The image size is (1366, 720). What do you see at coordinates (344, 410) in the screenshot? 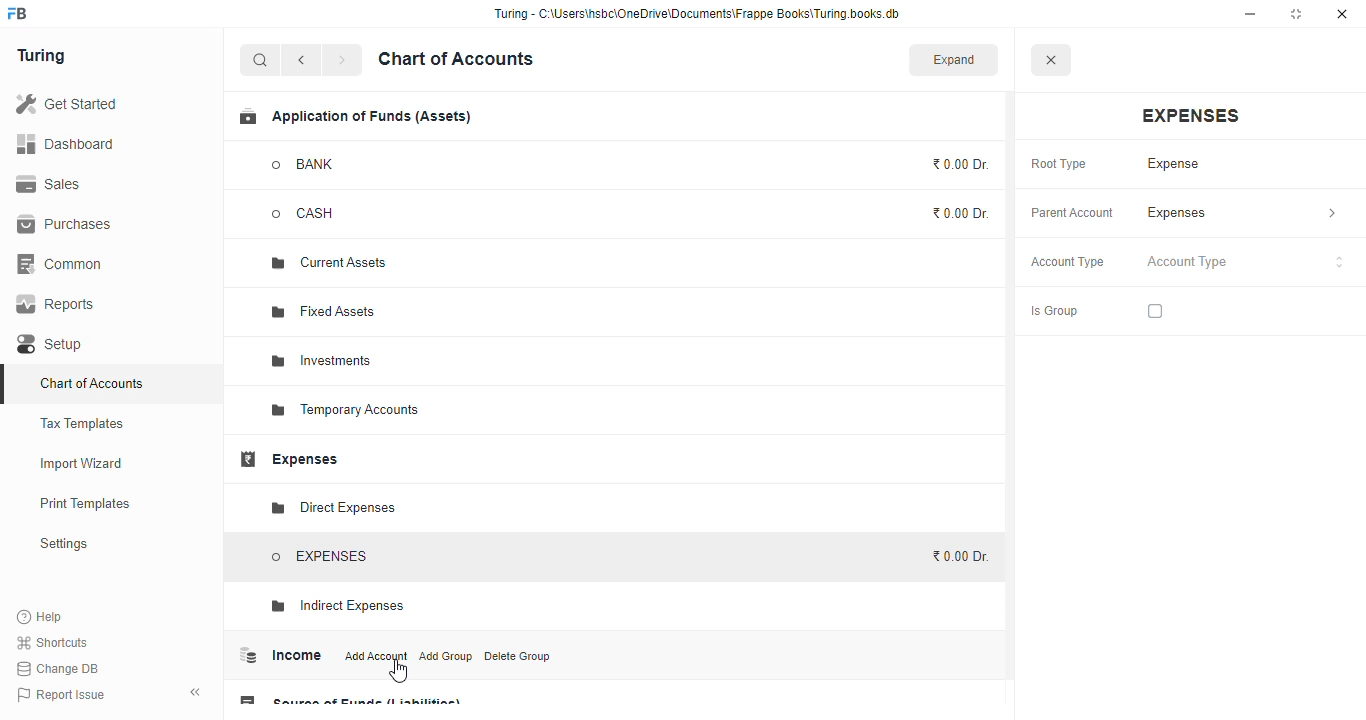
I see `temporary accounts` at bounding box center [344, 410].